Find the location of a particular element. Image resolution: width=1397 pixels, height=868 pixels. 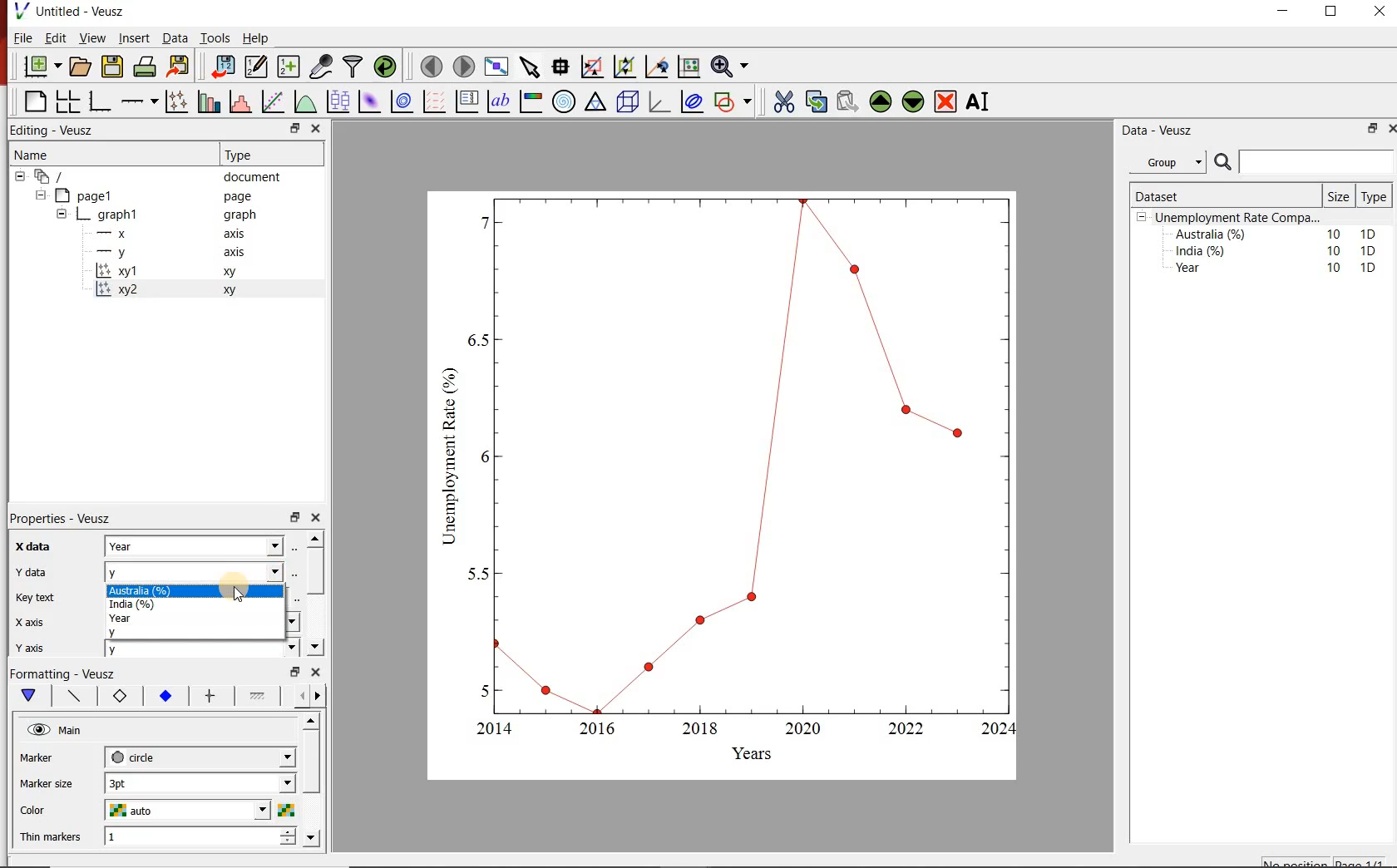

Year is located at coordinates (197, 545).